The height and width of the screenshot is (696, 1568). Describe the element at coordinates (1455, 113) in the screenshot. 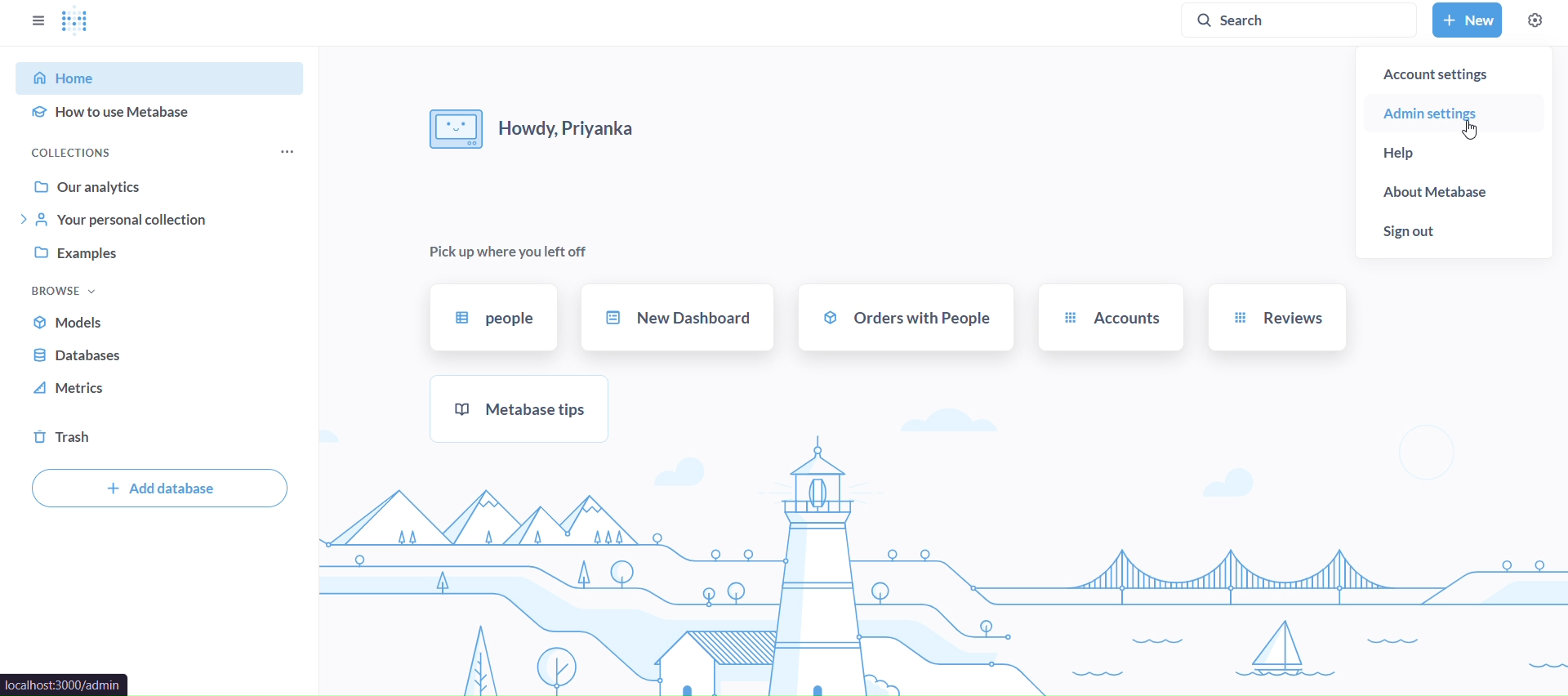

I see `admin settings` at that location.